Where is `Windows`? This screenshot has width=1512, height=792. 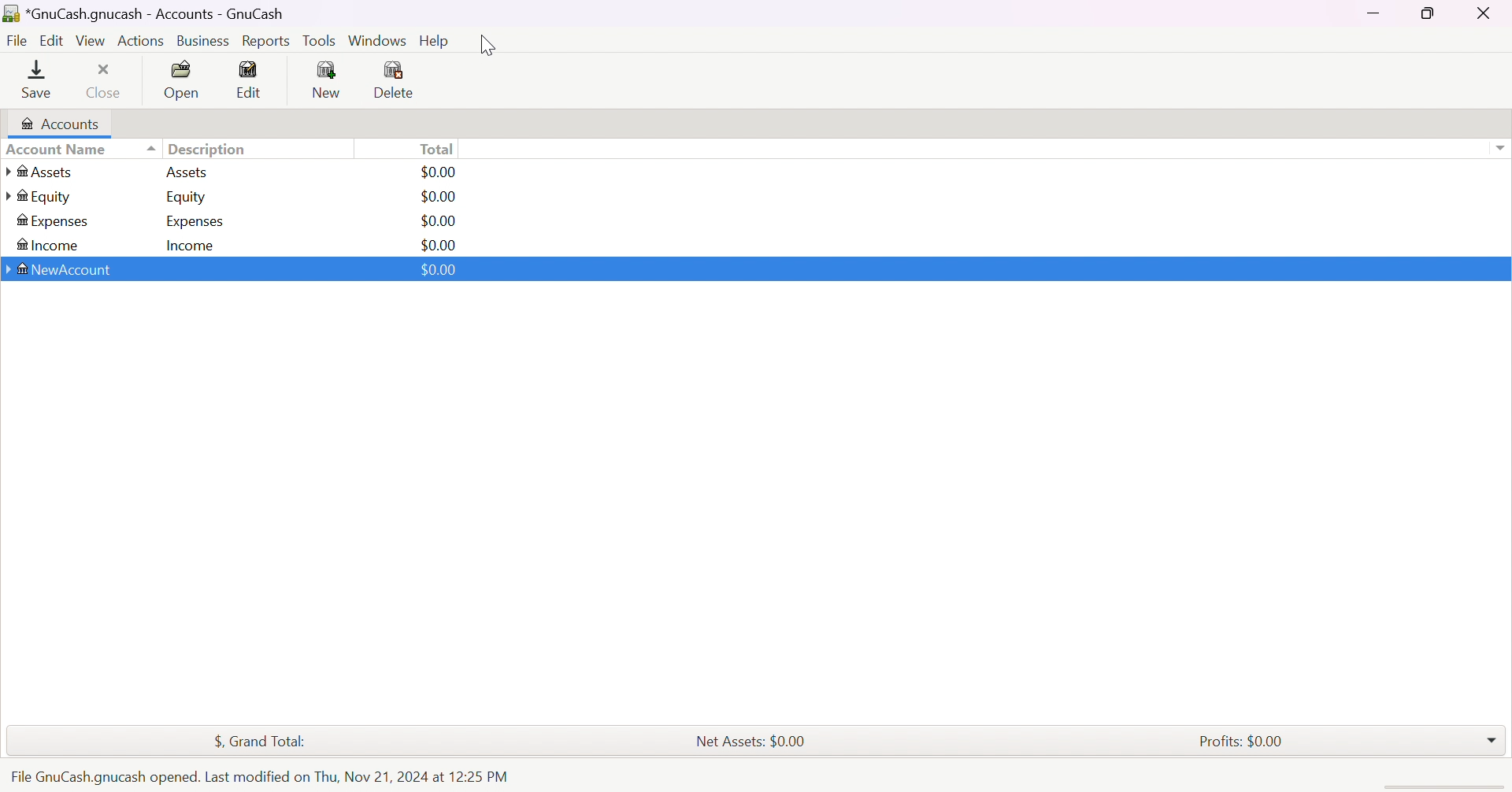
Windows is located at coordinates (376, 39).